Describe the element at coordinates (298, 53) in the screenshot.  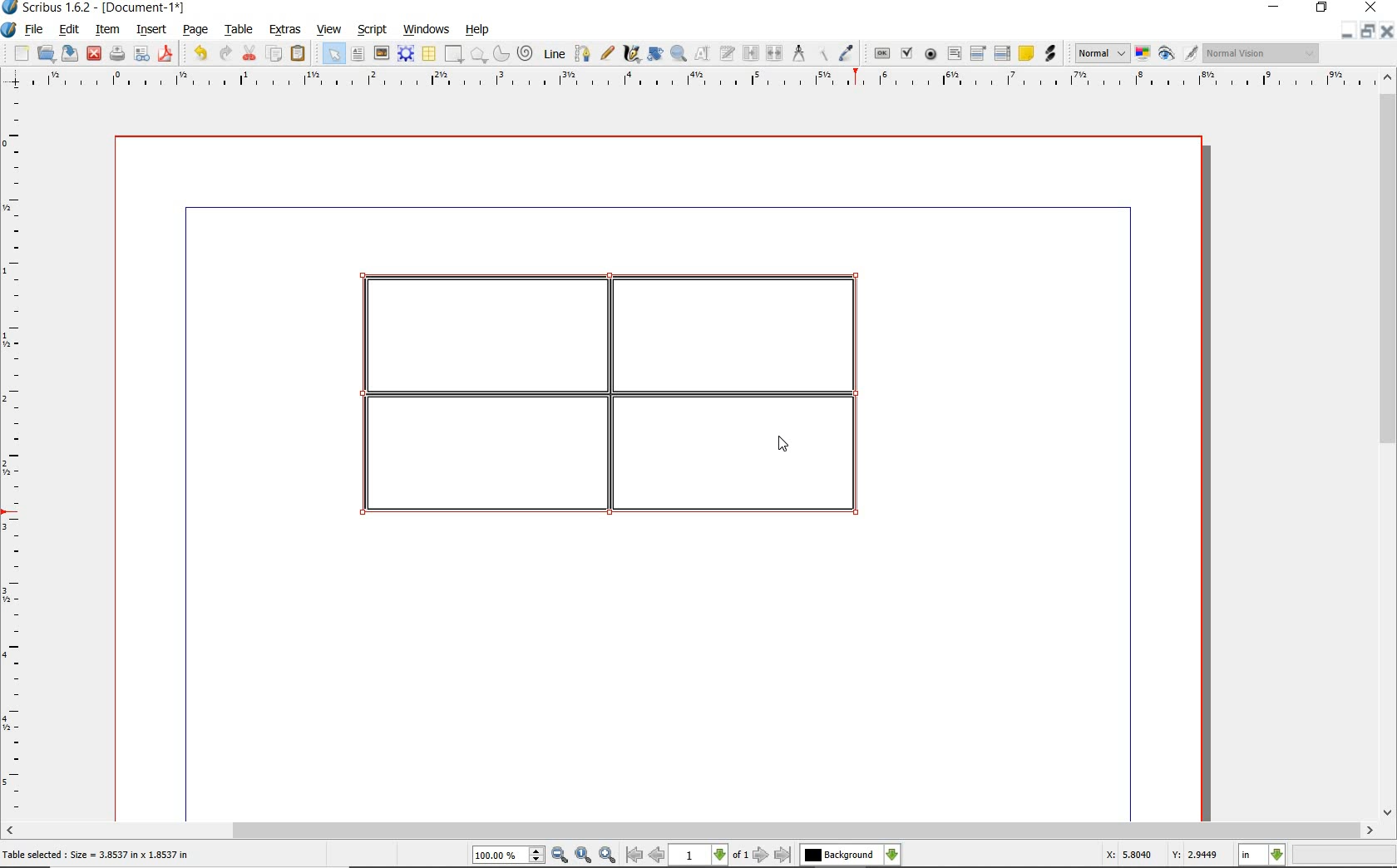
I see `paste` at that location.